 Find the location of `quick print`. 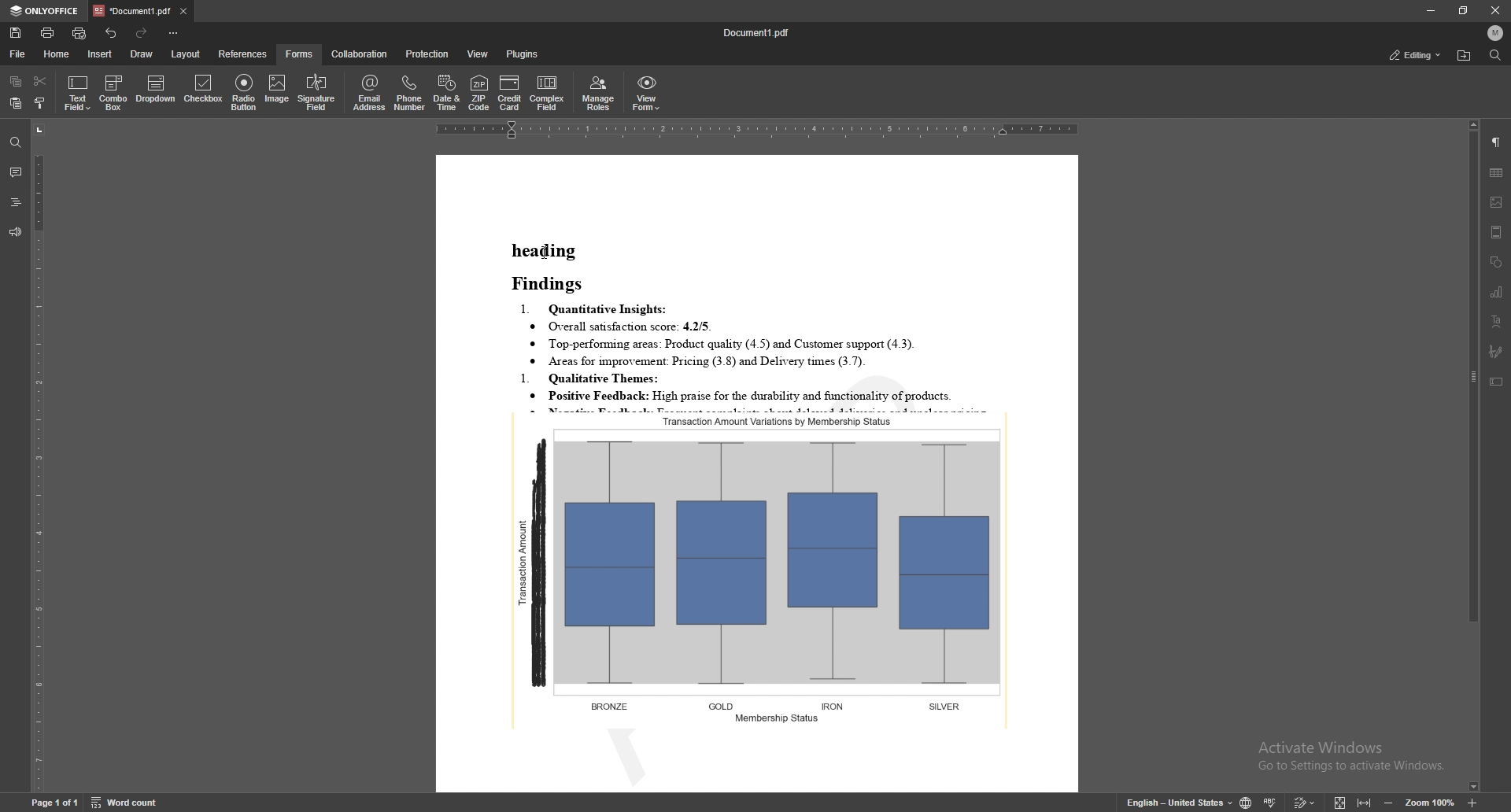

quick print is located at coordinates (79, 34).